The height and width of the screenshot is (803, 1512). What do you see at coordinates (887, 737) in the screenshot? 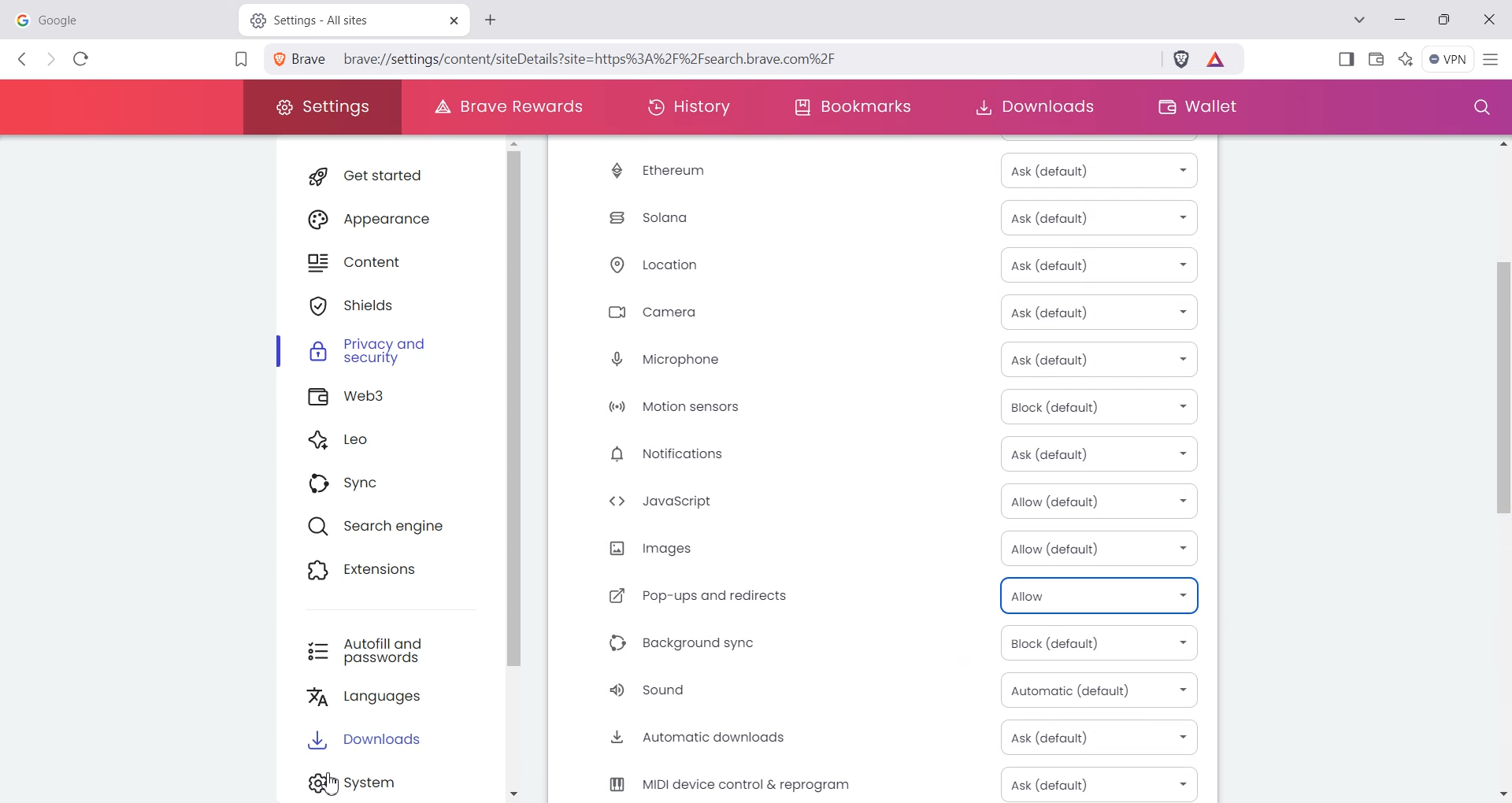
I see `Automatic downloads Ask (Default)` at bounding box center [887, 737].